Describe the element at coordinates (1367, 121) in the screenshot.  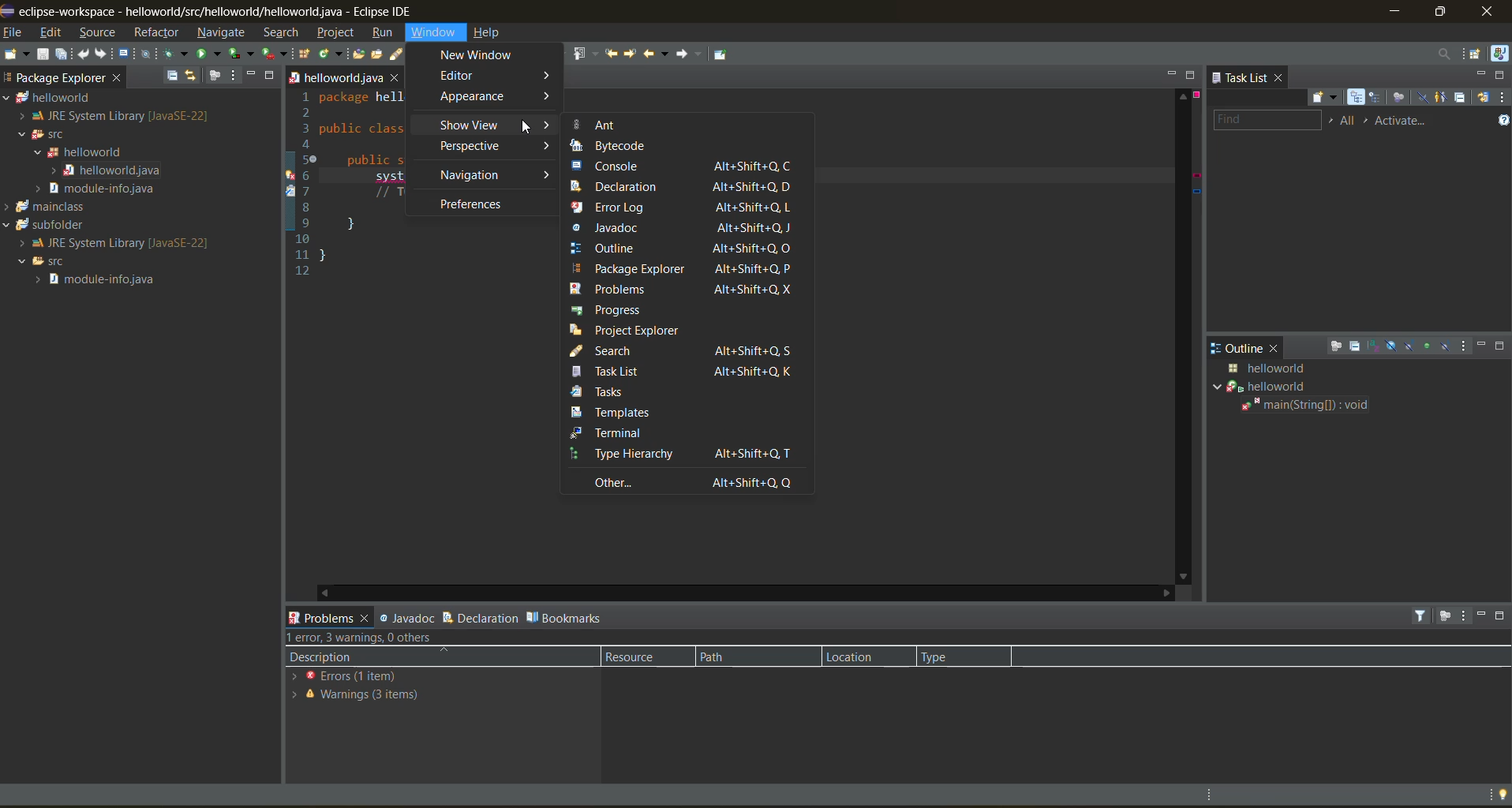
I see `select active task` at that location.